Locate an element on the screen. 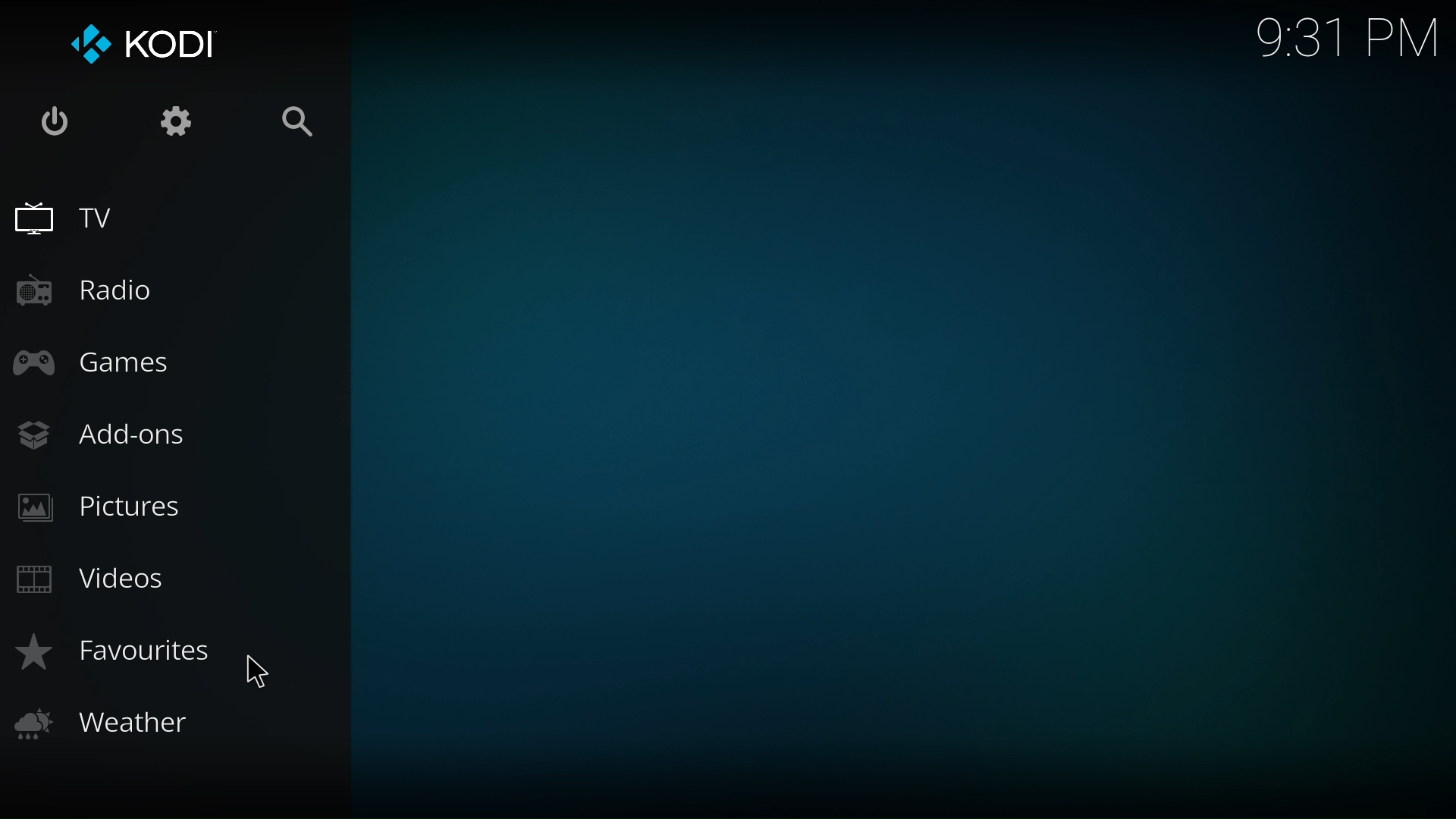  games is located at coordinates (104, 369).